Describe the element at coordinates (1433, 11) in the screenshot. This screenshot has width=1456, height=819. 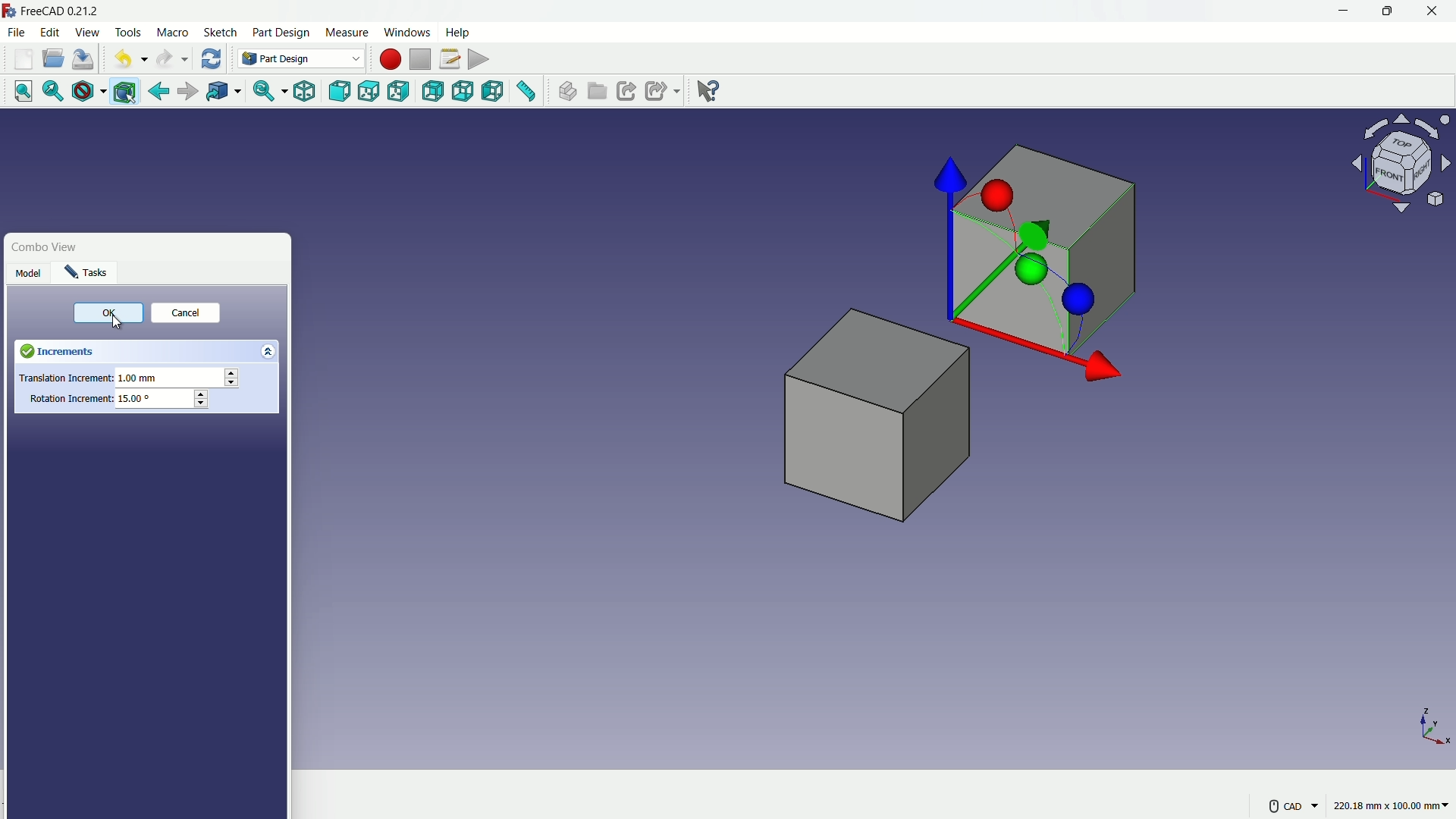
I see `close app` at that location.